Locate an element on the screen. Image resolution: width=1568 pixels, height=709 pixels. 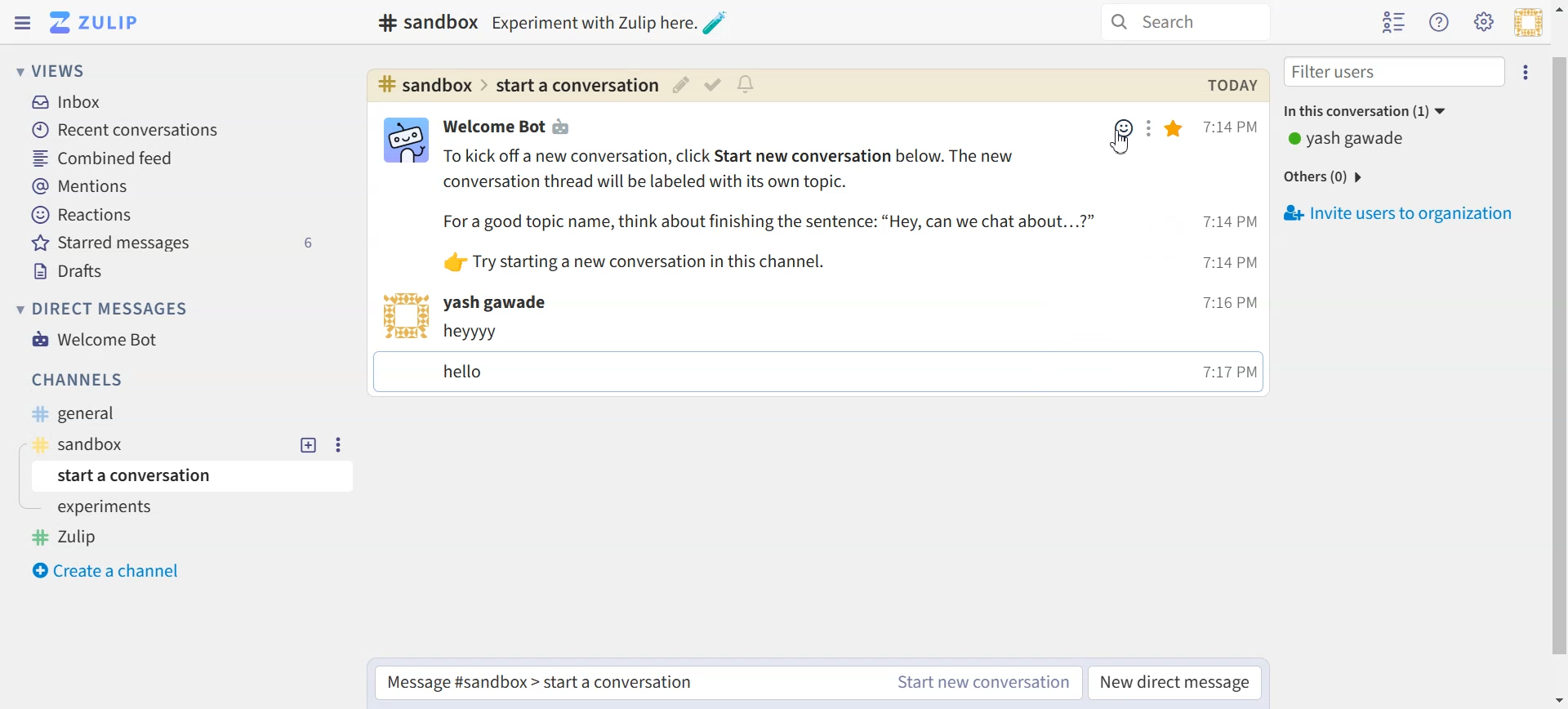
Personal menu is located at coordinates (1528, 22).